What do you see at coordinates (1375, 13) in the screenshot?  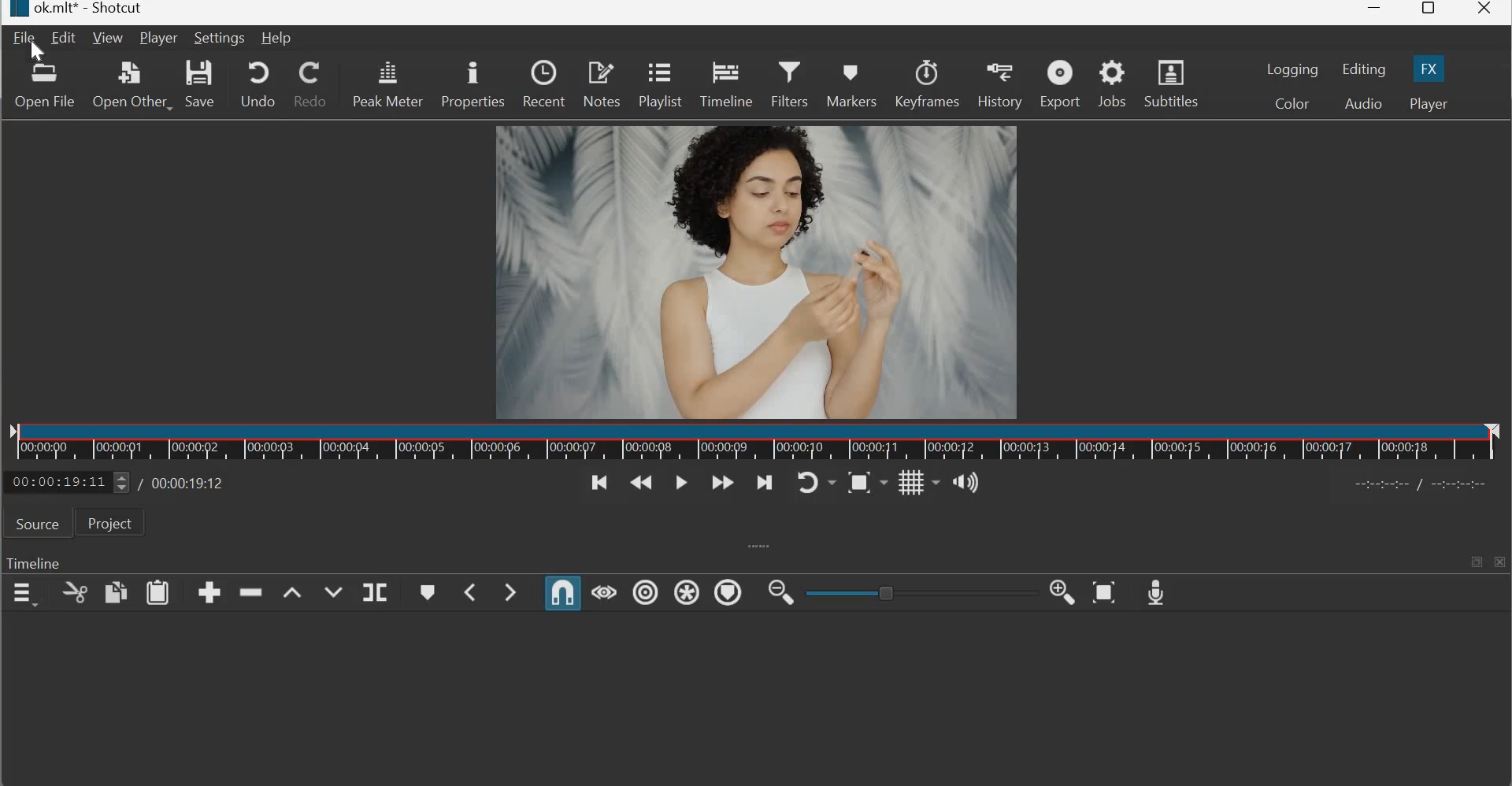 I see `Minimize` at bounding box center [1375, 13].